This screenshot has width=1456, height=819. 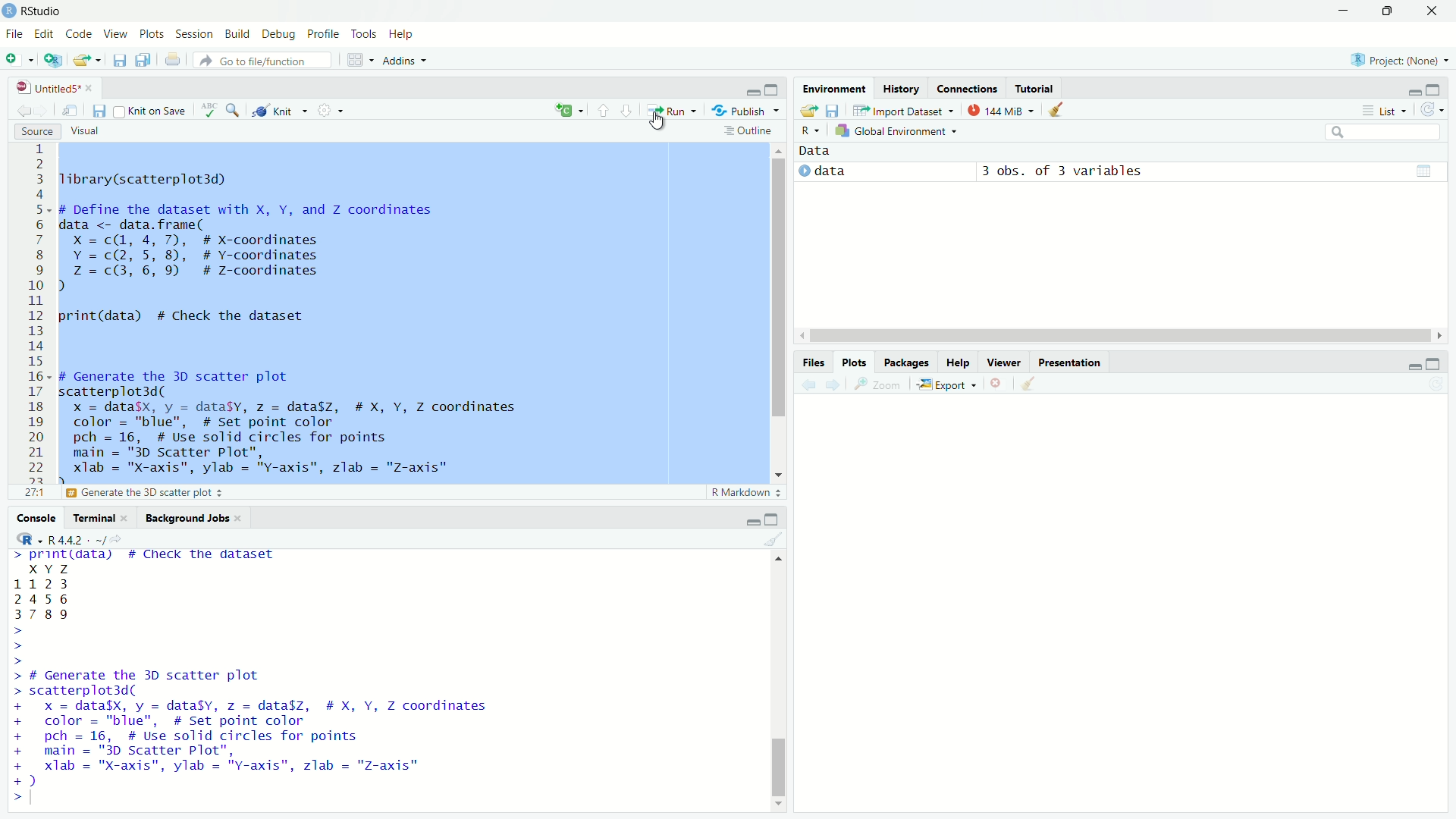 I want to click on library (scatterplot3d), so click(x=146, y=179).